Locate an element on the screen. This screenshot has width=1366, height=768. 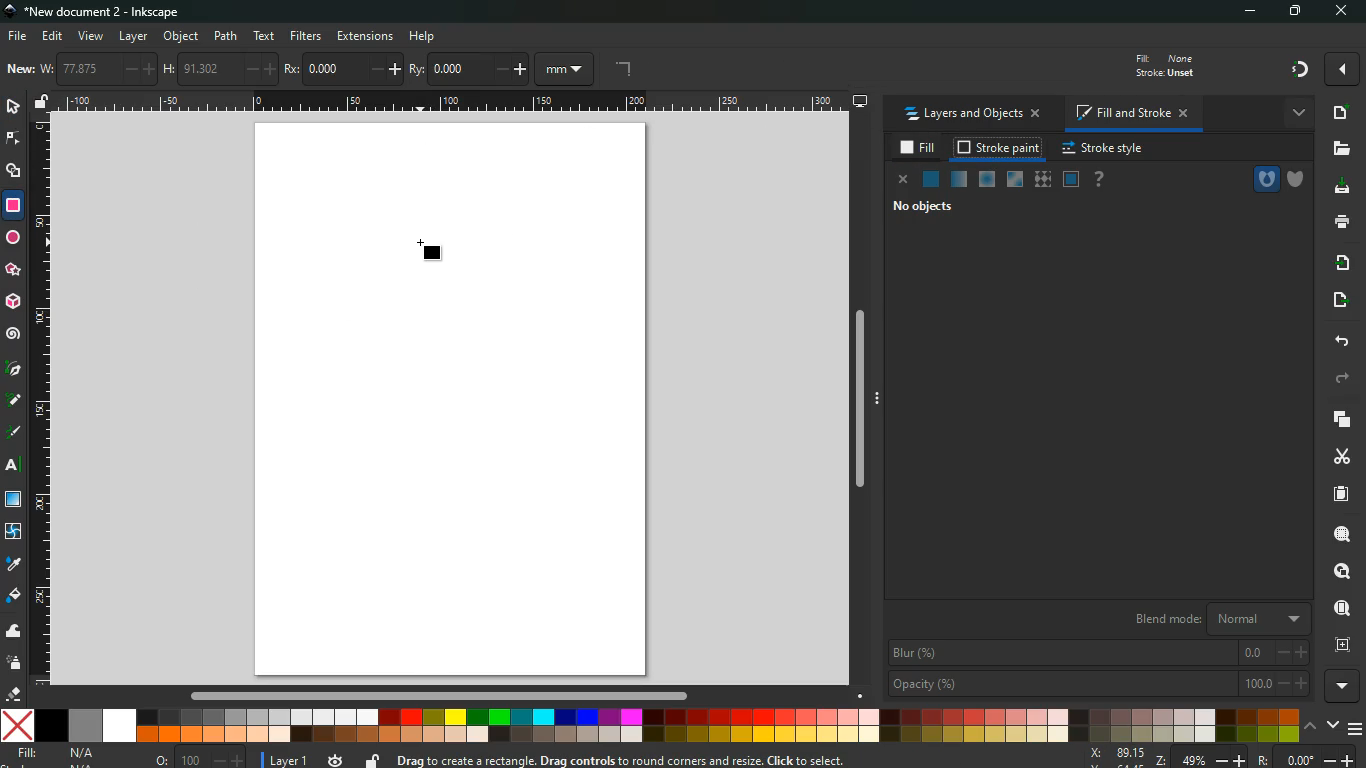
spiral is located at coordinates (15, 335).